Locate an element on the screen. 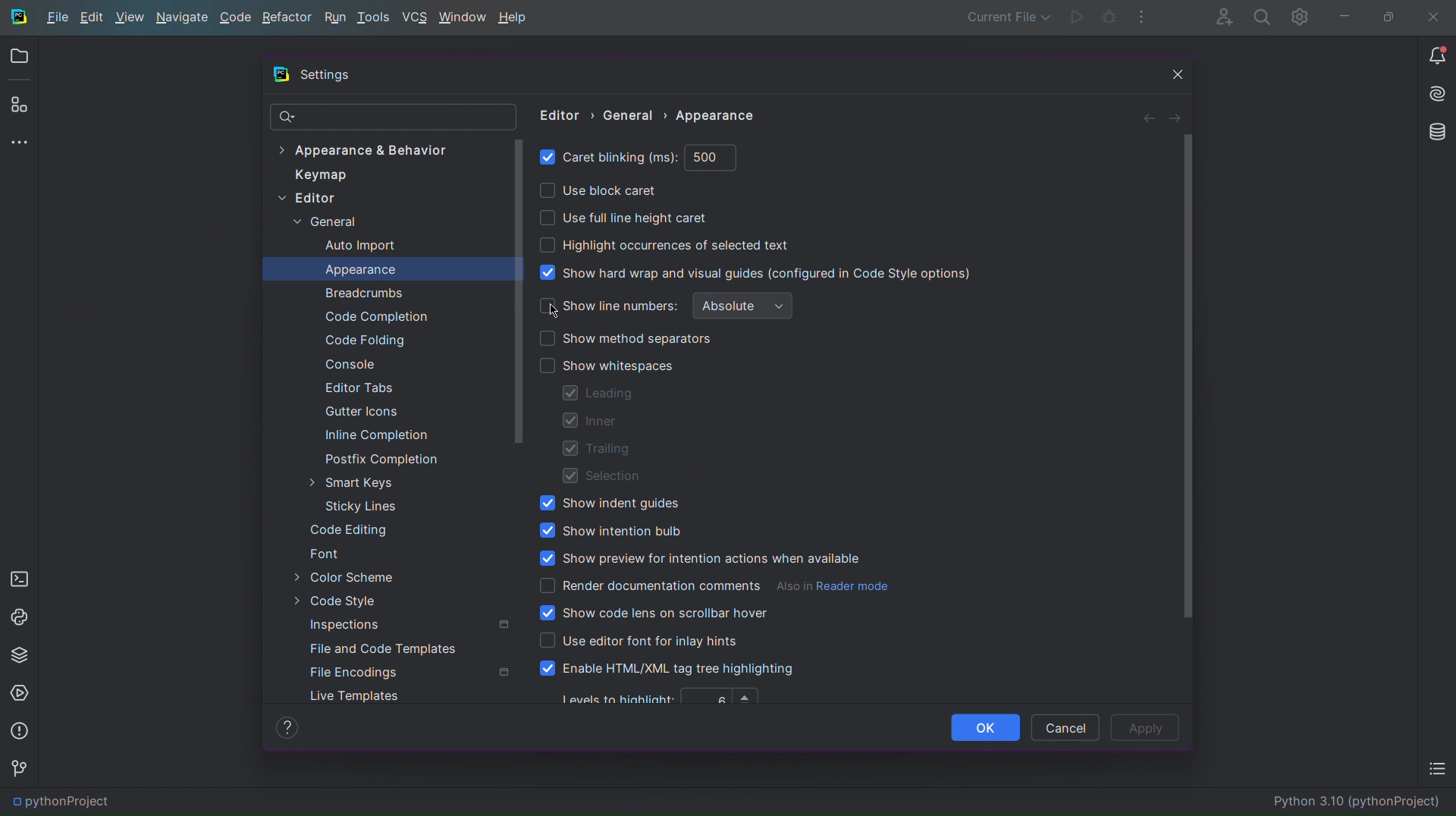 The height and width of the screenshot is (816, 1456). pythonProject is located at coordinates (56, 804).